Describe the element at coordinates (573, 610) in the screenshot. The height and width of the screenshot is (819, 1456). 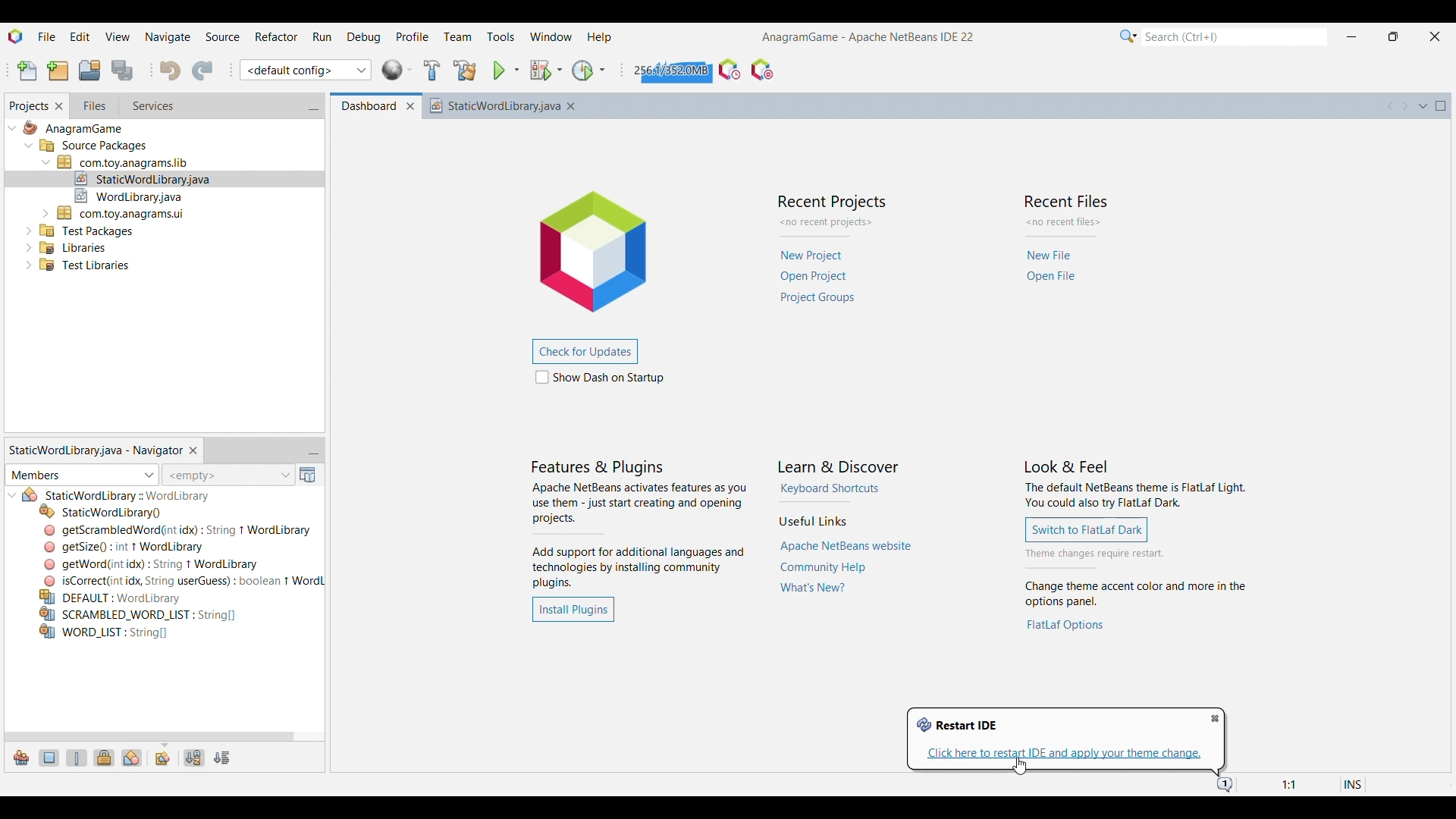
I see `Install plugins` at that location.